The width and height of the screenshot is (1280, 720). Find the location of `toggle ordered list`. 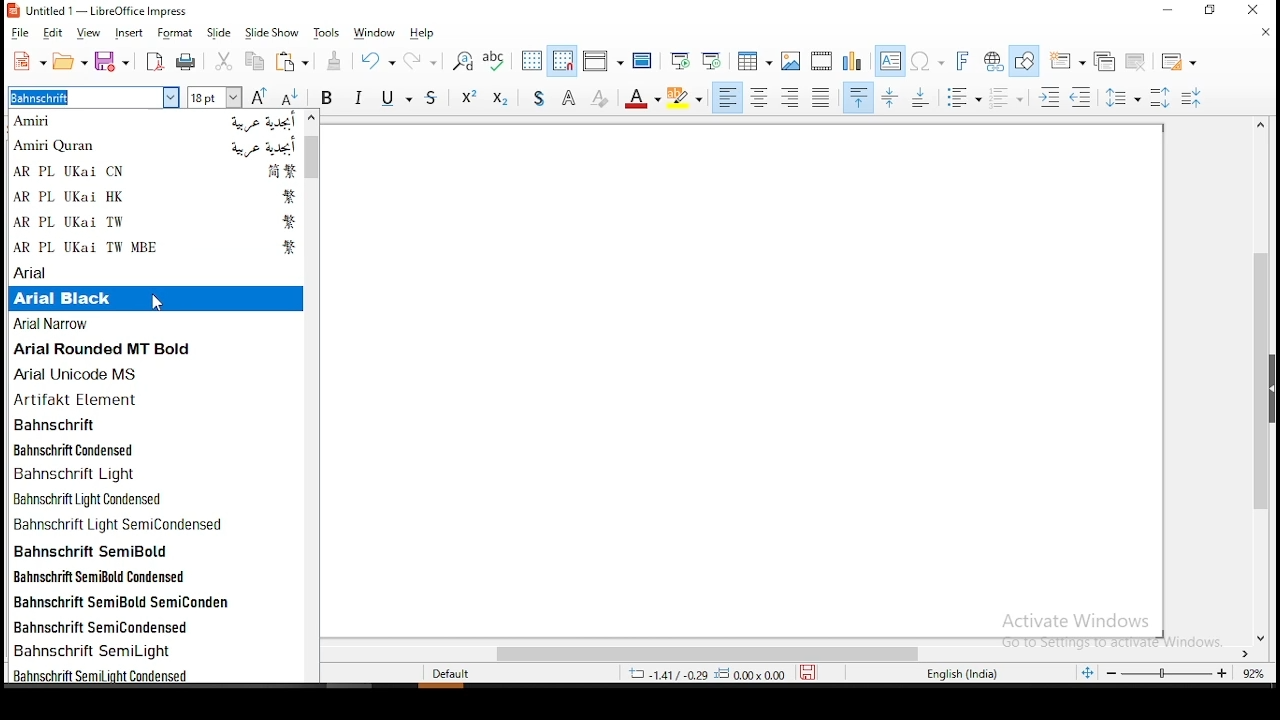

toggle ordered list is located at coordinates (1191, 97).